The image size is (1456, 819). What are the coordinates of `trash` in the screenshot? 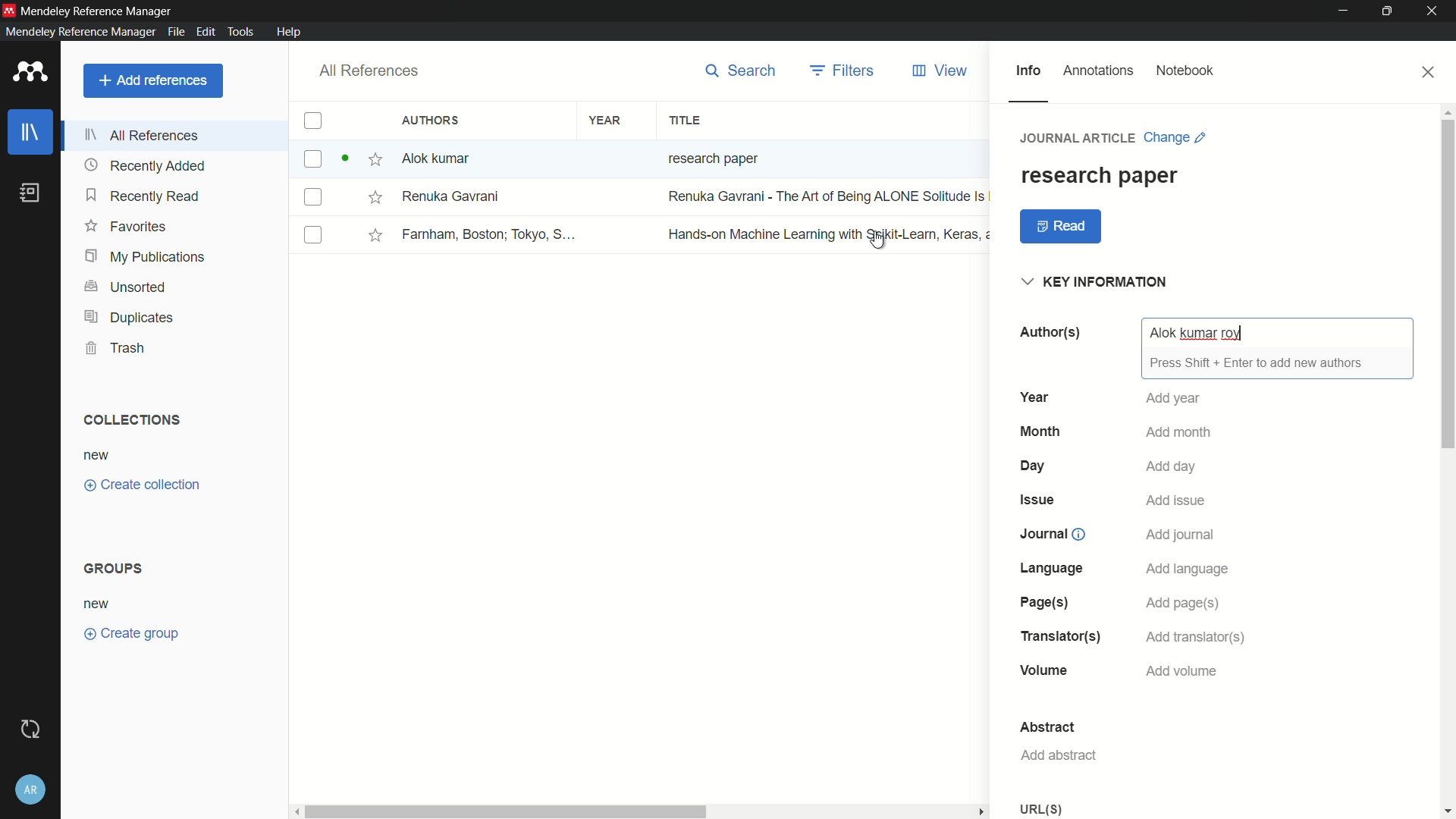 It's located at (117, 347).